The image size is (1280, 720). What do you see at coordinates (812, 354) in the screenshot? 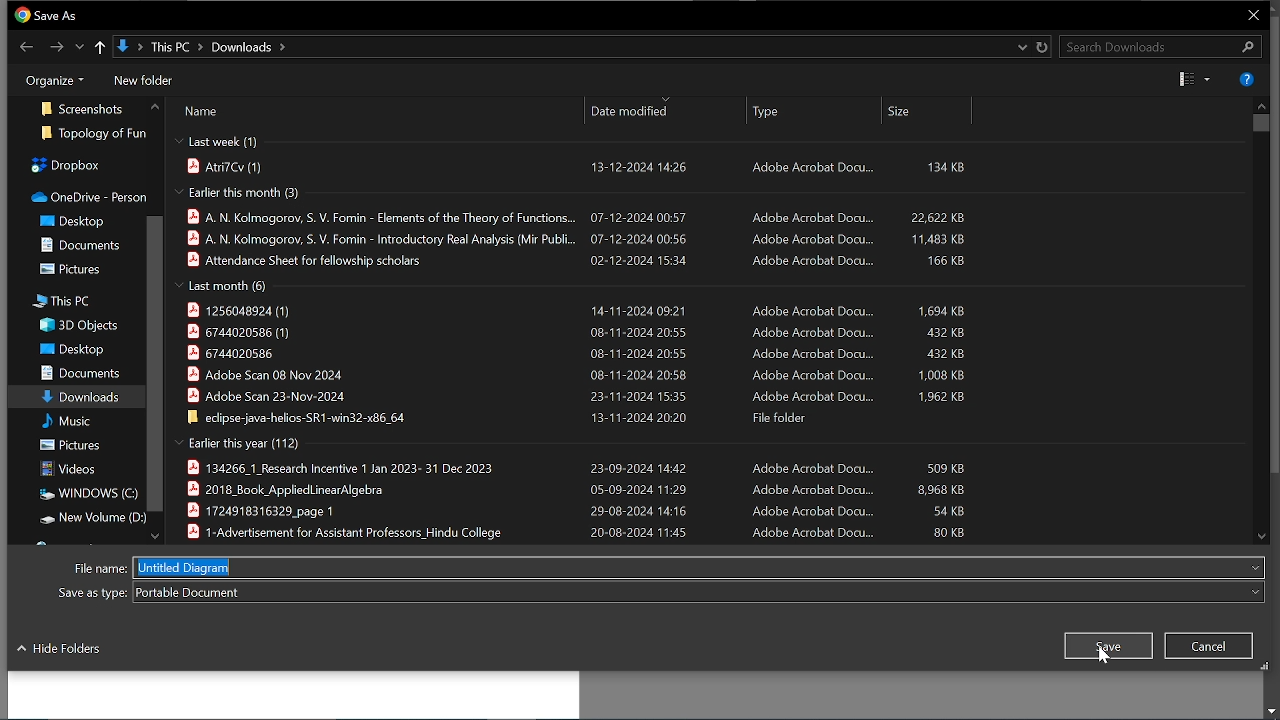
I see `Adobe Acrobat Docu...` at bounding box center [812, 354].